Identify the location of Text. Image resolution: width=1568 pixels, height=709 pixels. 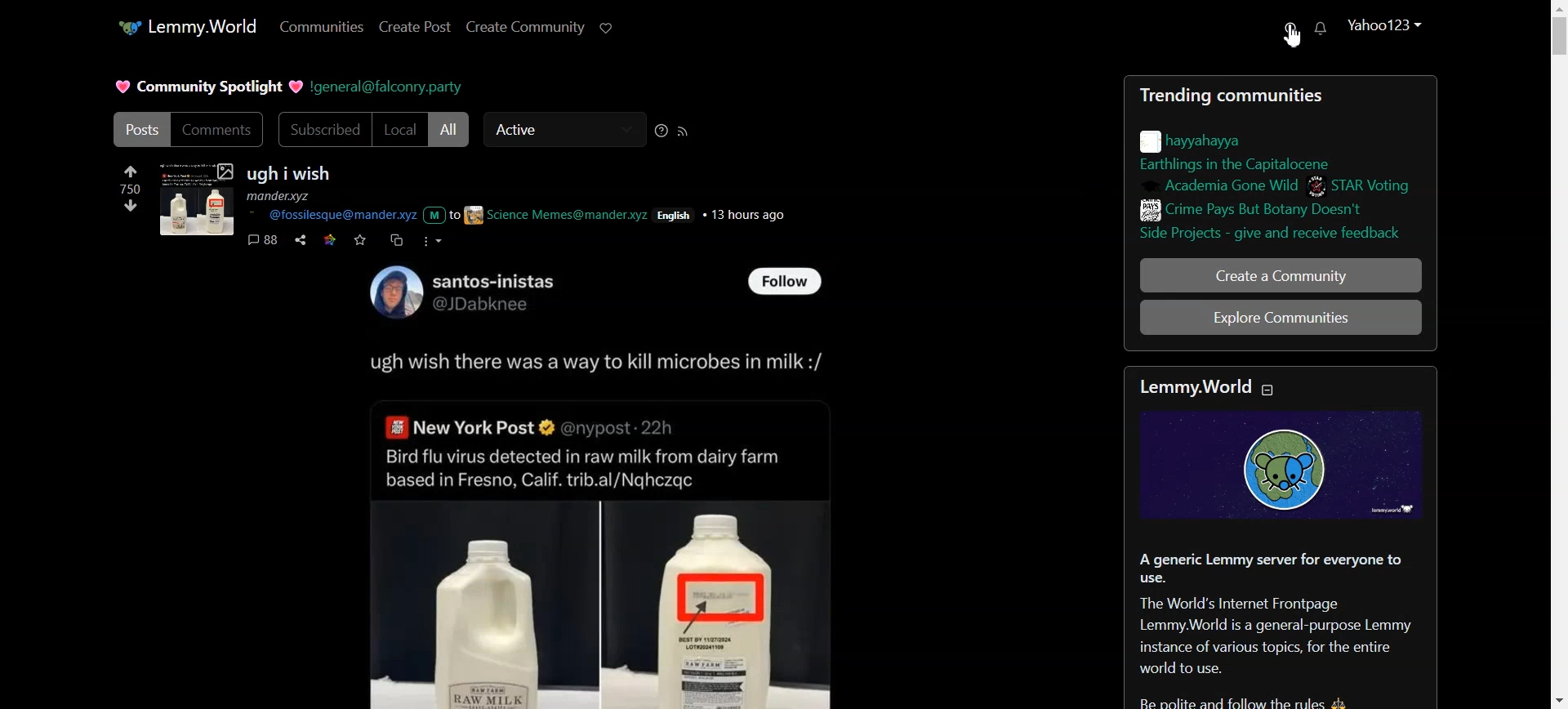
(206, 85).